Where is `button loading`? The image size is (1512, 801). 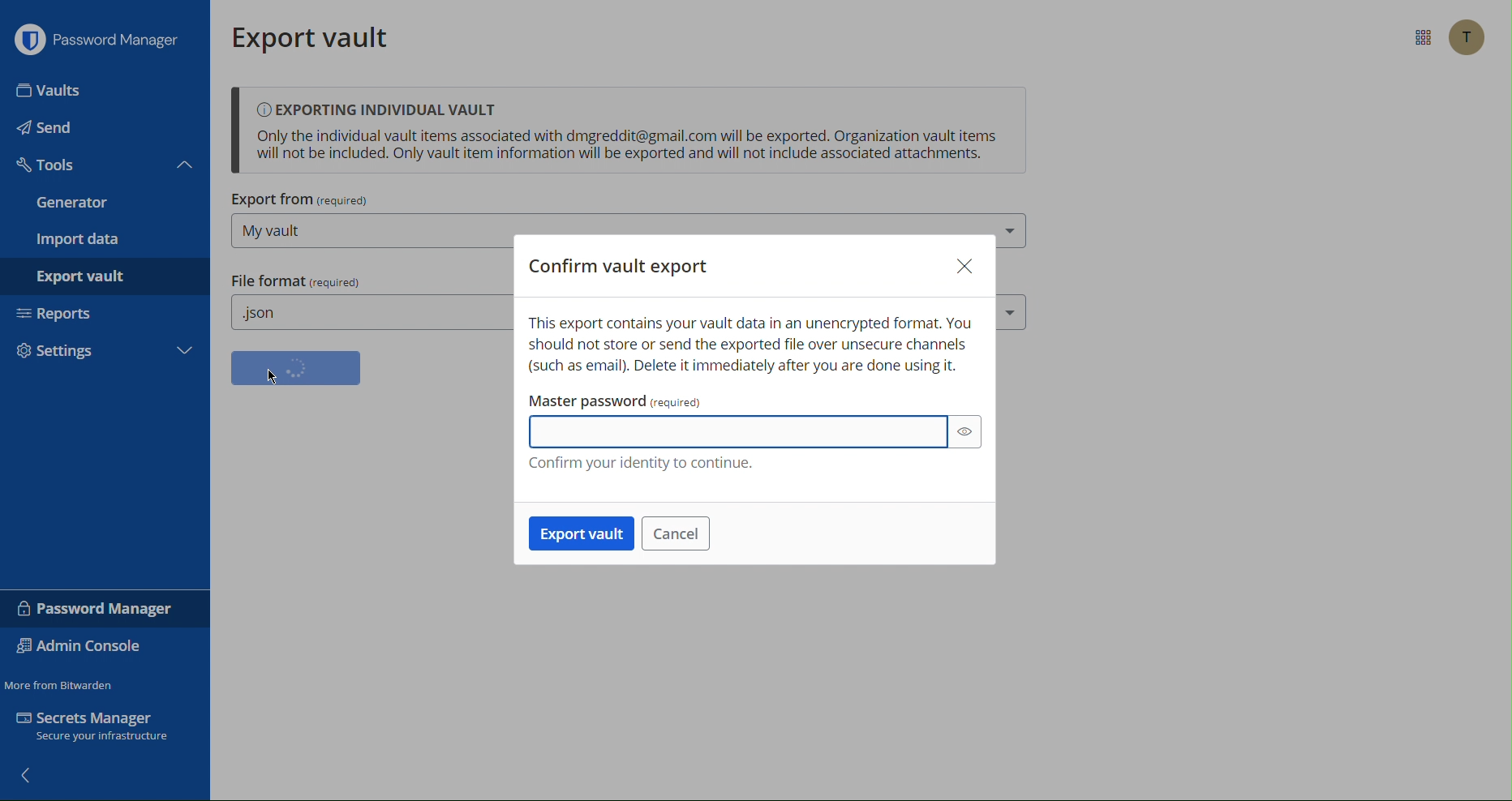 button loading is located at coordinates (296, 368).